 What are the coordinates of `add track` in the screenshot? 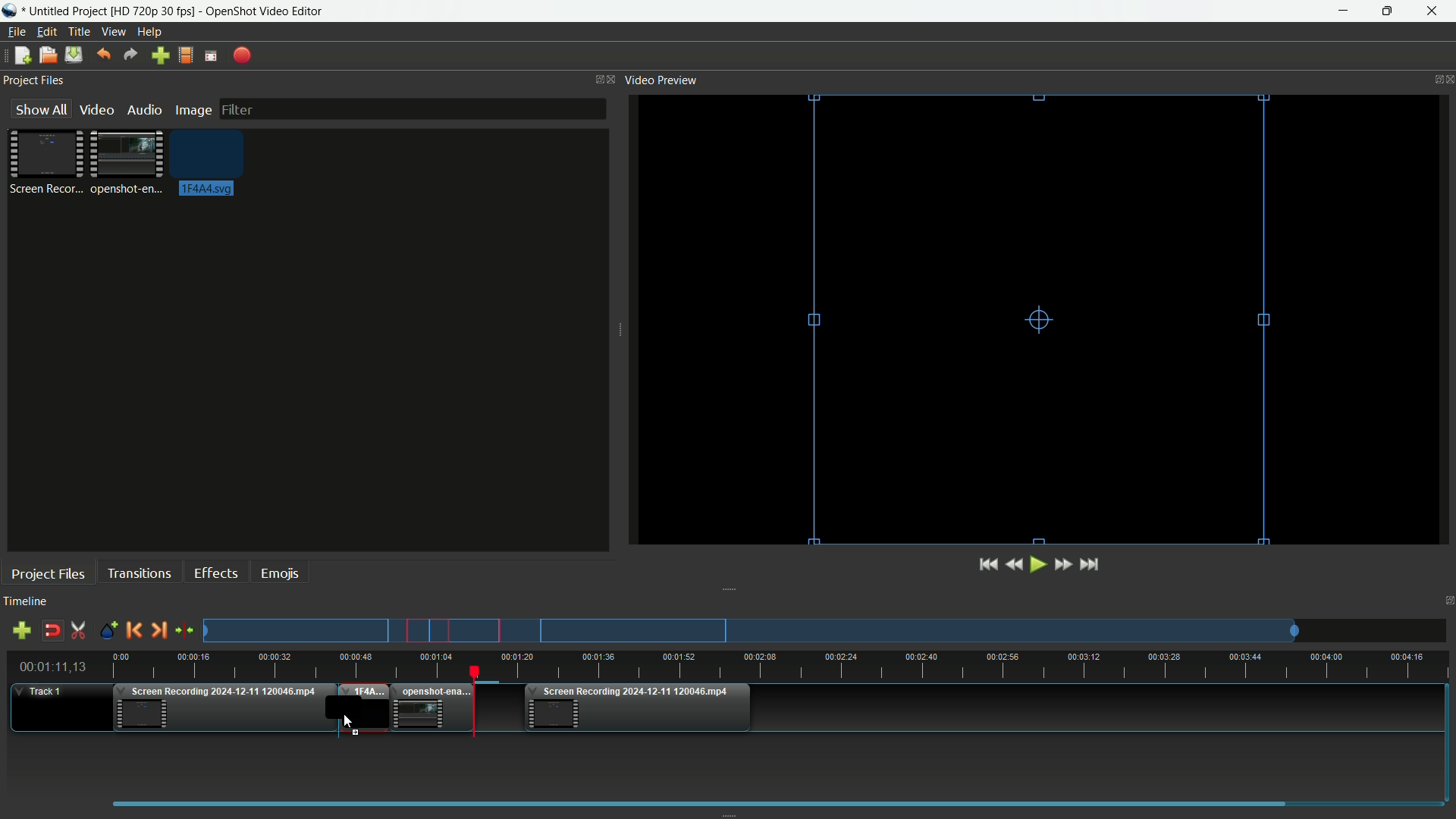 It's located at (19, 631).